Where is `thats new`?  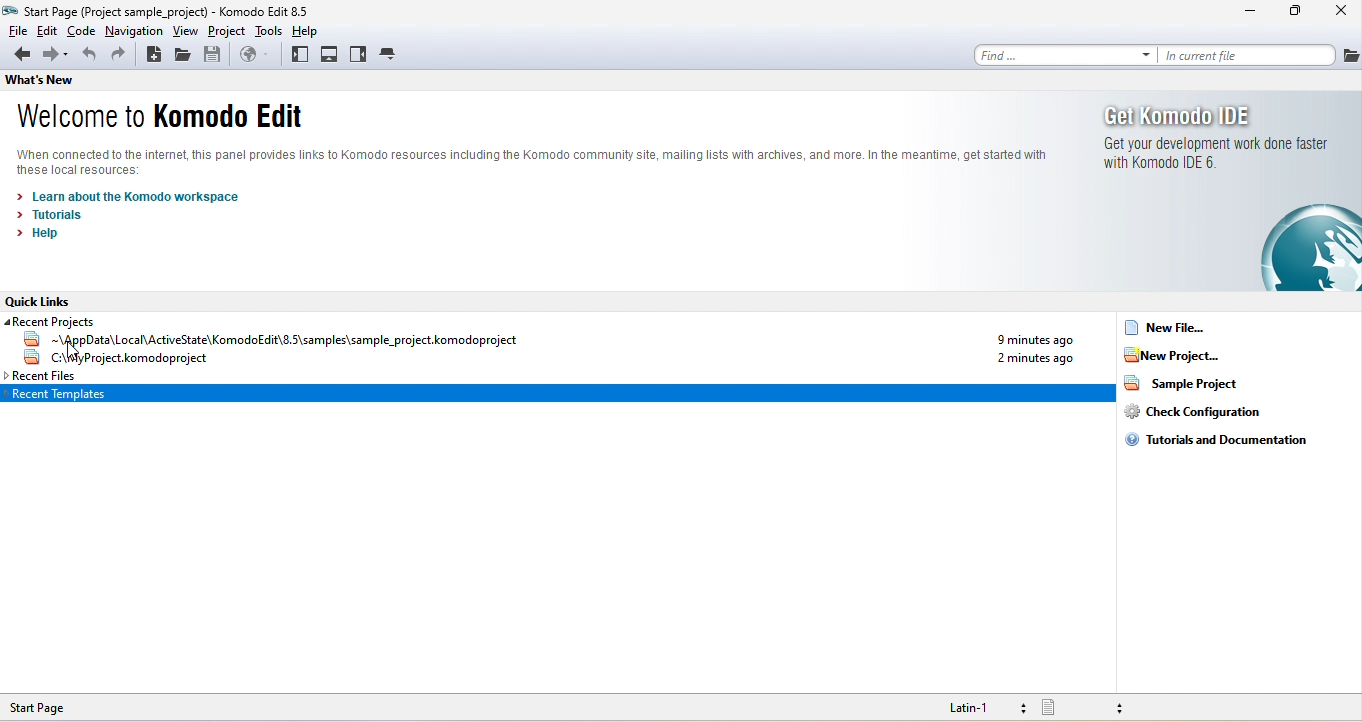
thats new is located at coordinates (39, 78).